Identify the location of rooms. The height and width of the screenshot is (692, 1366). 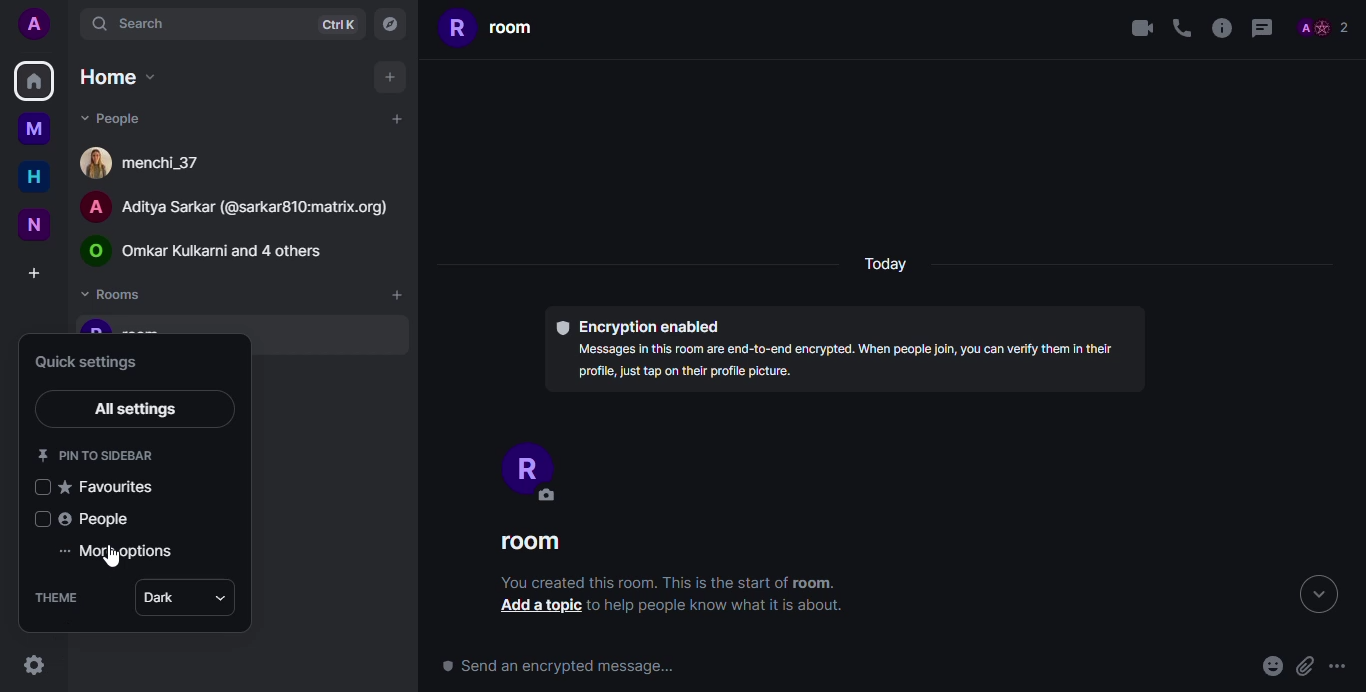
(116, 295).